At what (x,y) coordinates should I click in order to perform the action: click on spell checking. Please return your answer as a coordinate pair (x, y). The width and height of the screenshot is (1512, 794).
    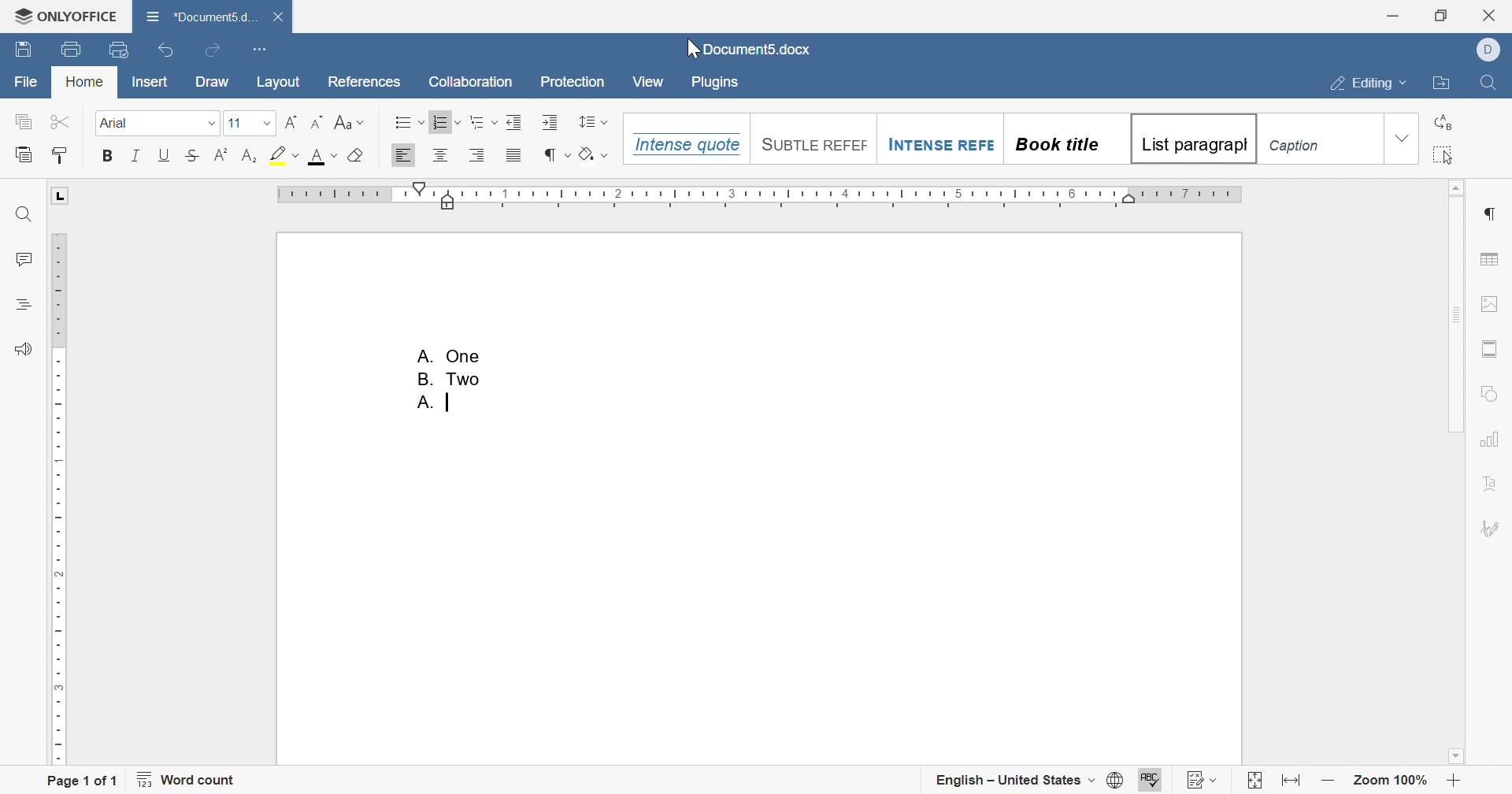
    Looking at the image, I should click on (1152, 781).